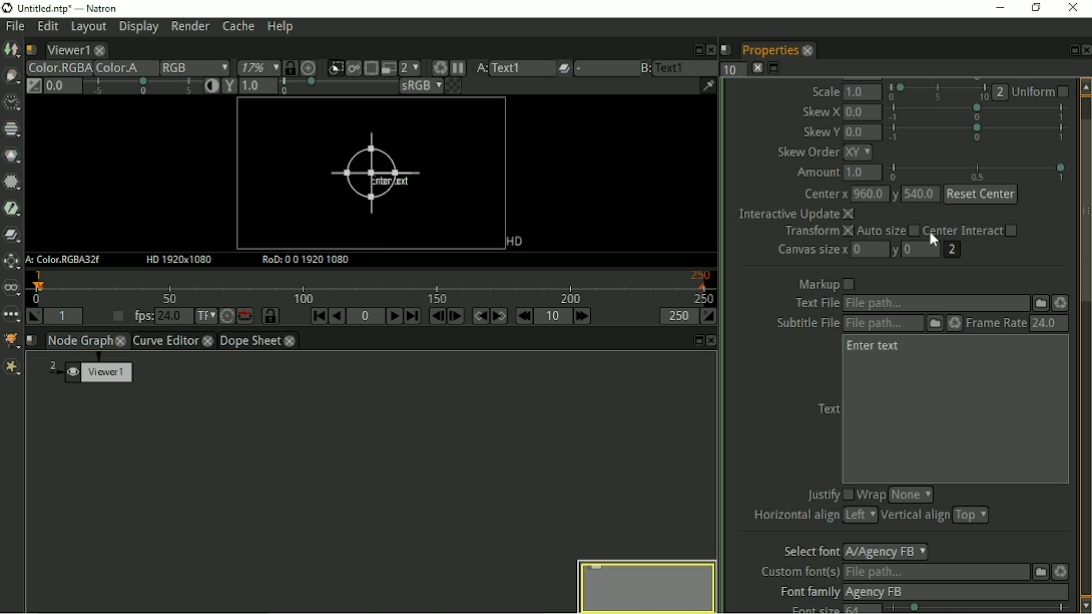 This screenshot has height=614, width=1092. What do you see at coordinates (479, 316) in the screenshot?
I see `Previous keyframe` at bounding box center [479, 316].